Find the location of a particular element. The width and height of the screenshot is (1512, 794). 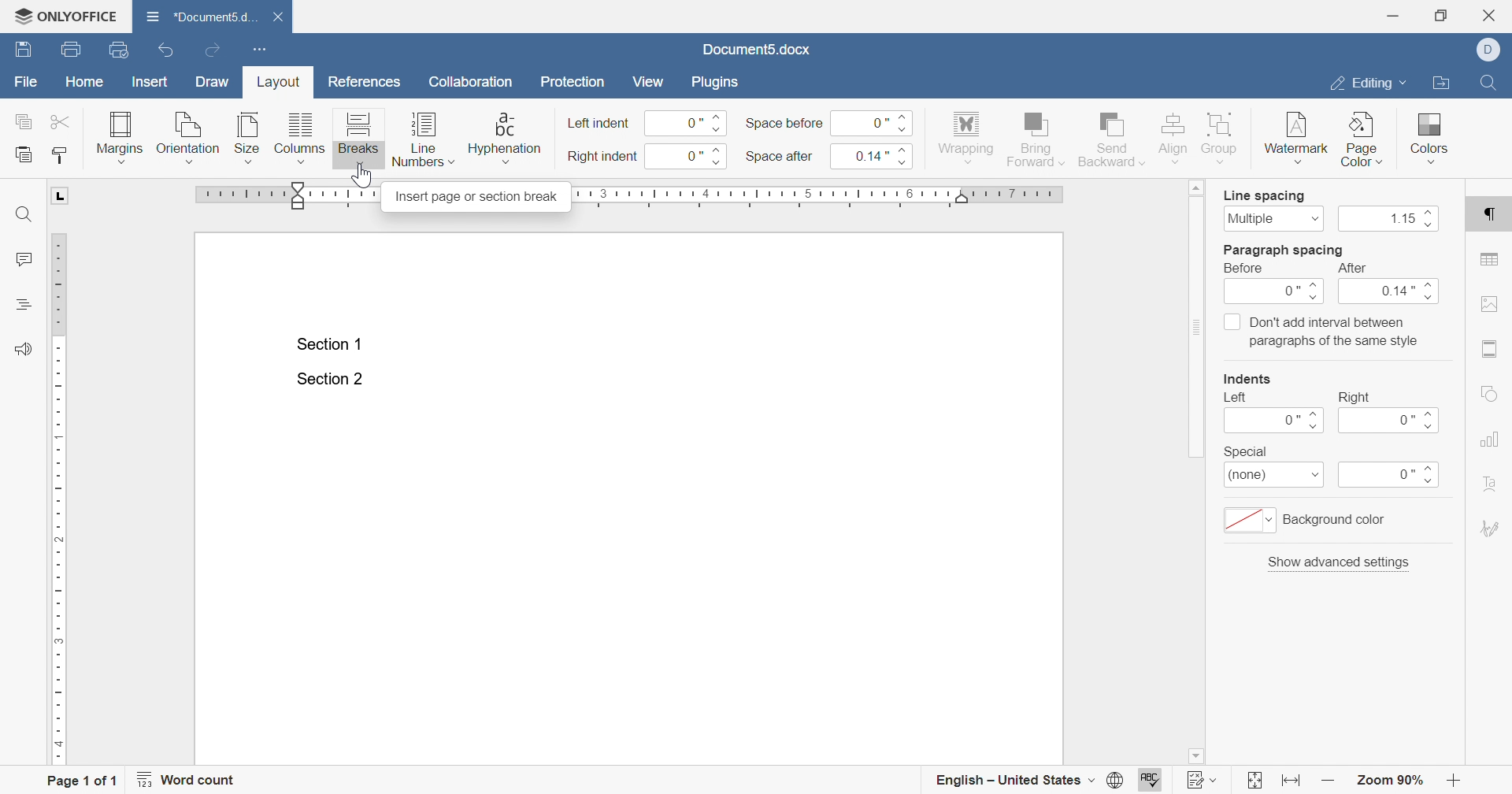

0 is located at coordinates (691, 157).